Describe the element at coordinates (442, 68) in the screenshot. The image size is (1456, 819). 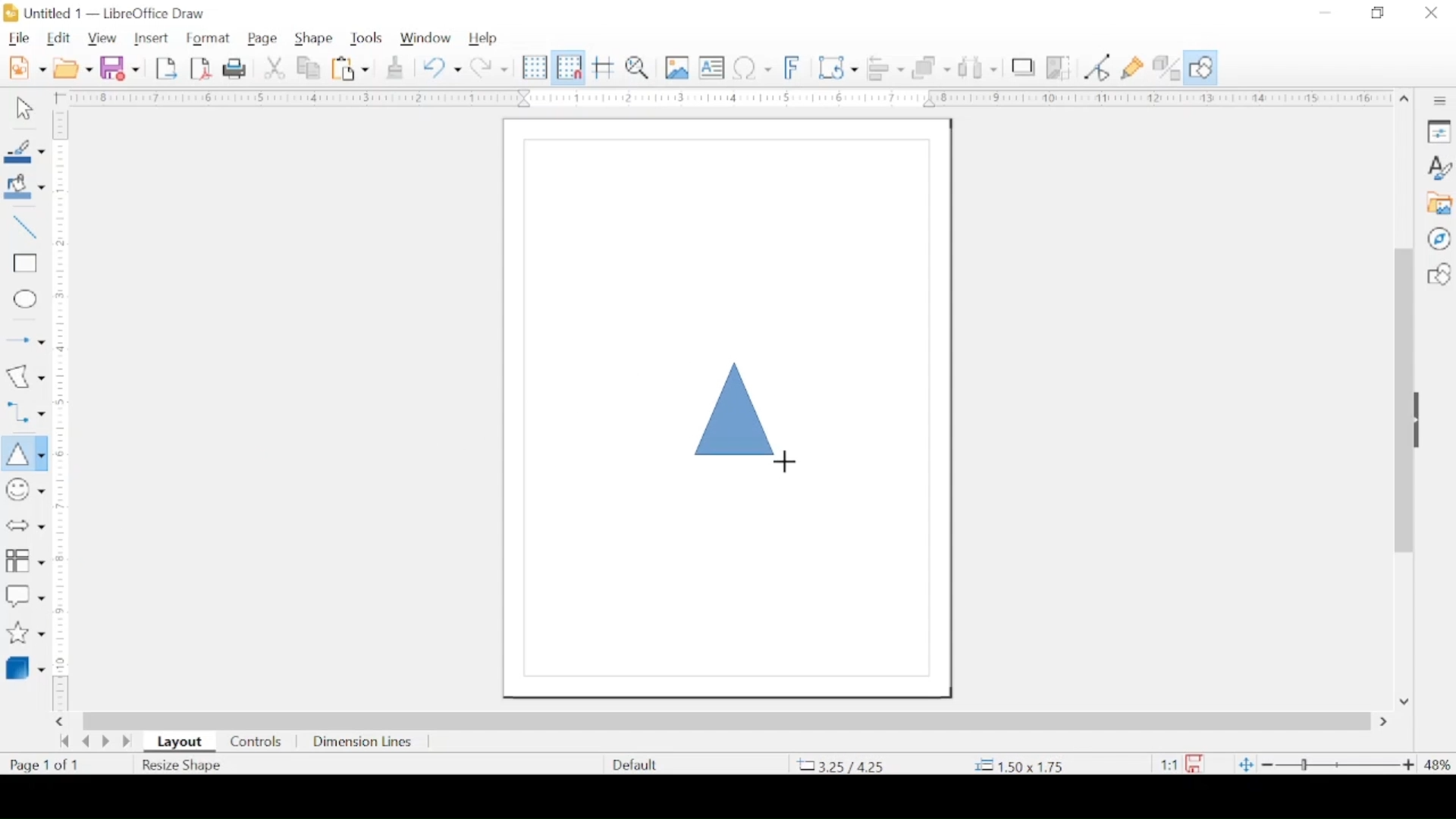
I see `undo` at that location.